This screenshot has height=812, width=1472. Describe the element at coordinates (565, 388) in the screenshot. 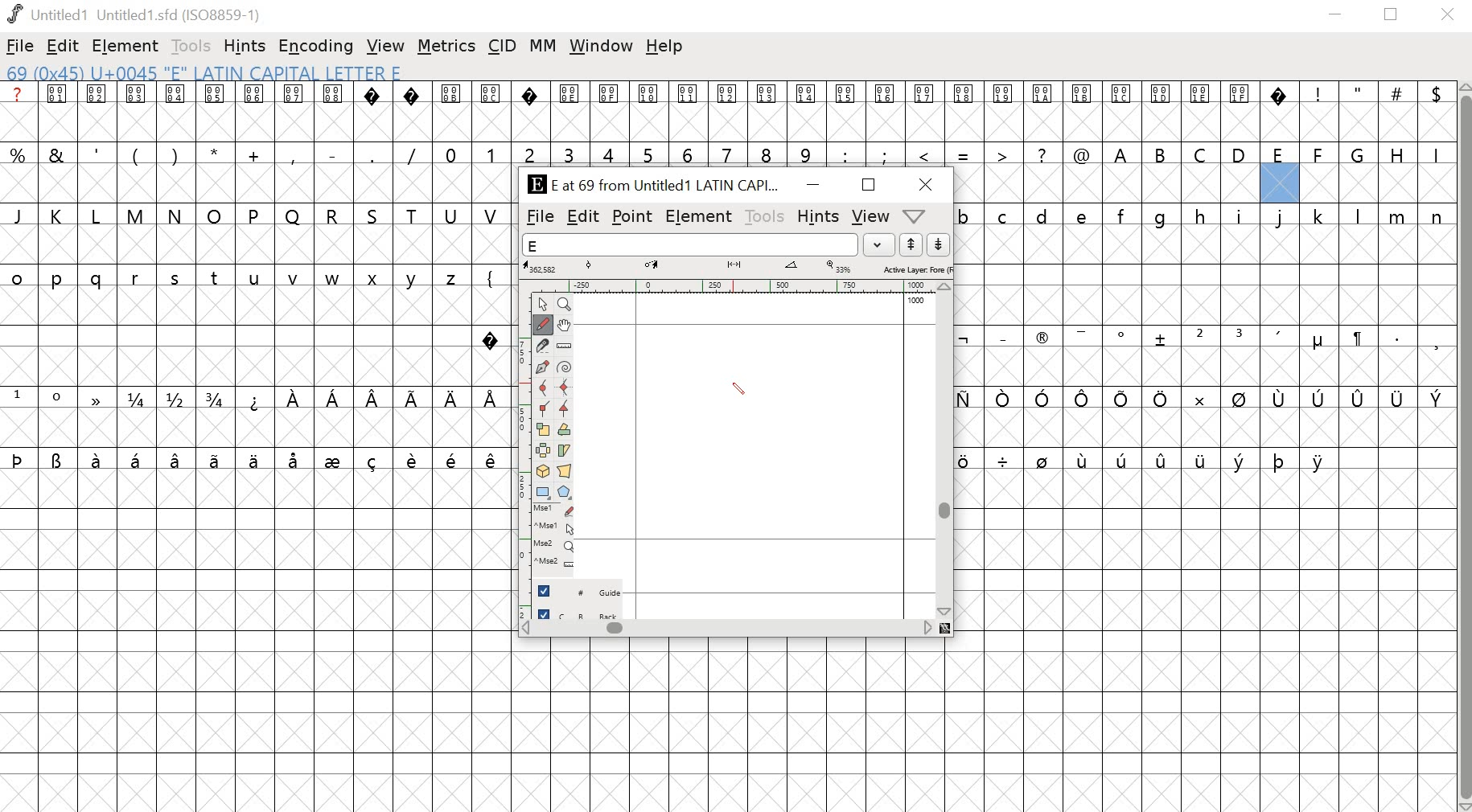

I see `HV Curve` at that location.